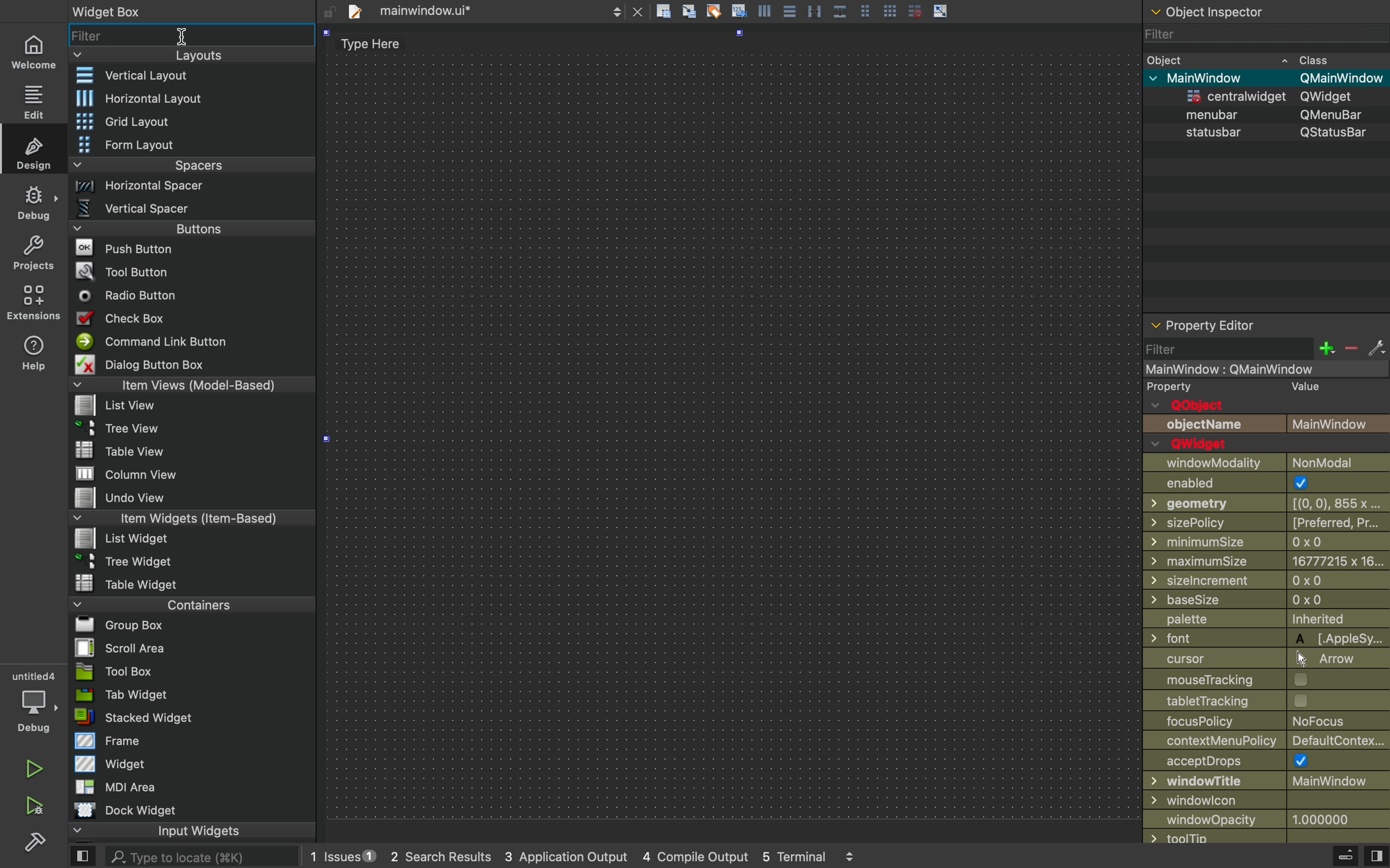  Describe the element at coordinates (191, 719) in the screenshot. I see `stacked widget` at that location.